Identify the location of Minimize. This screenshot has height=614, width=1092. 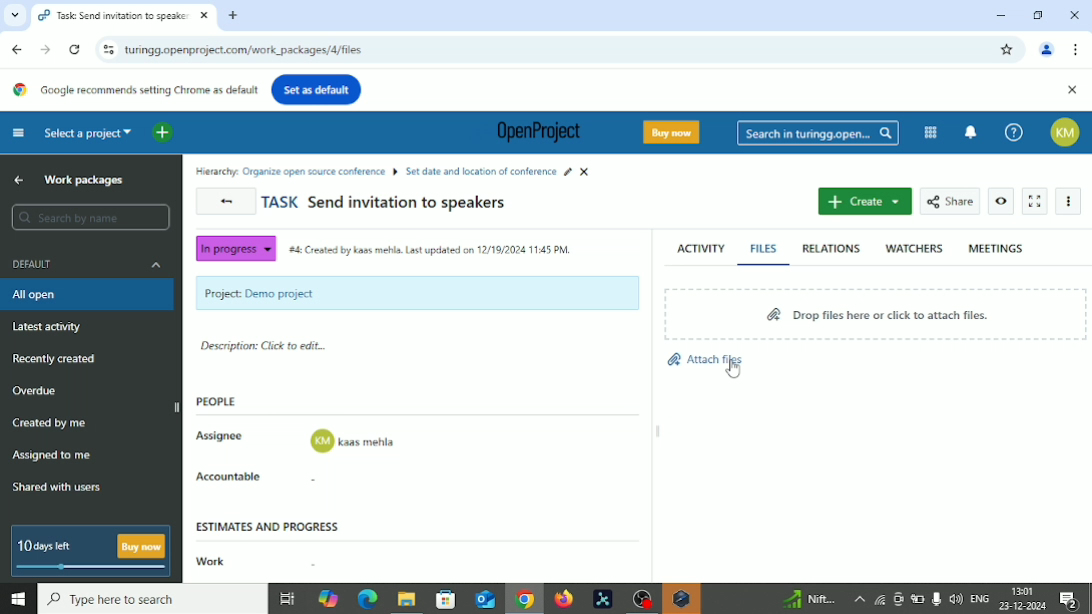
(999, 15).